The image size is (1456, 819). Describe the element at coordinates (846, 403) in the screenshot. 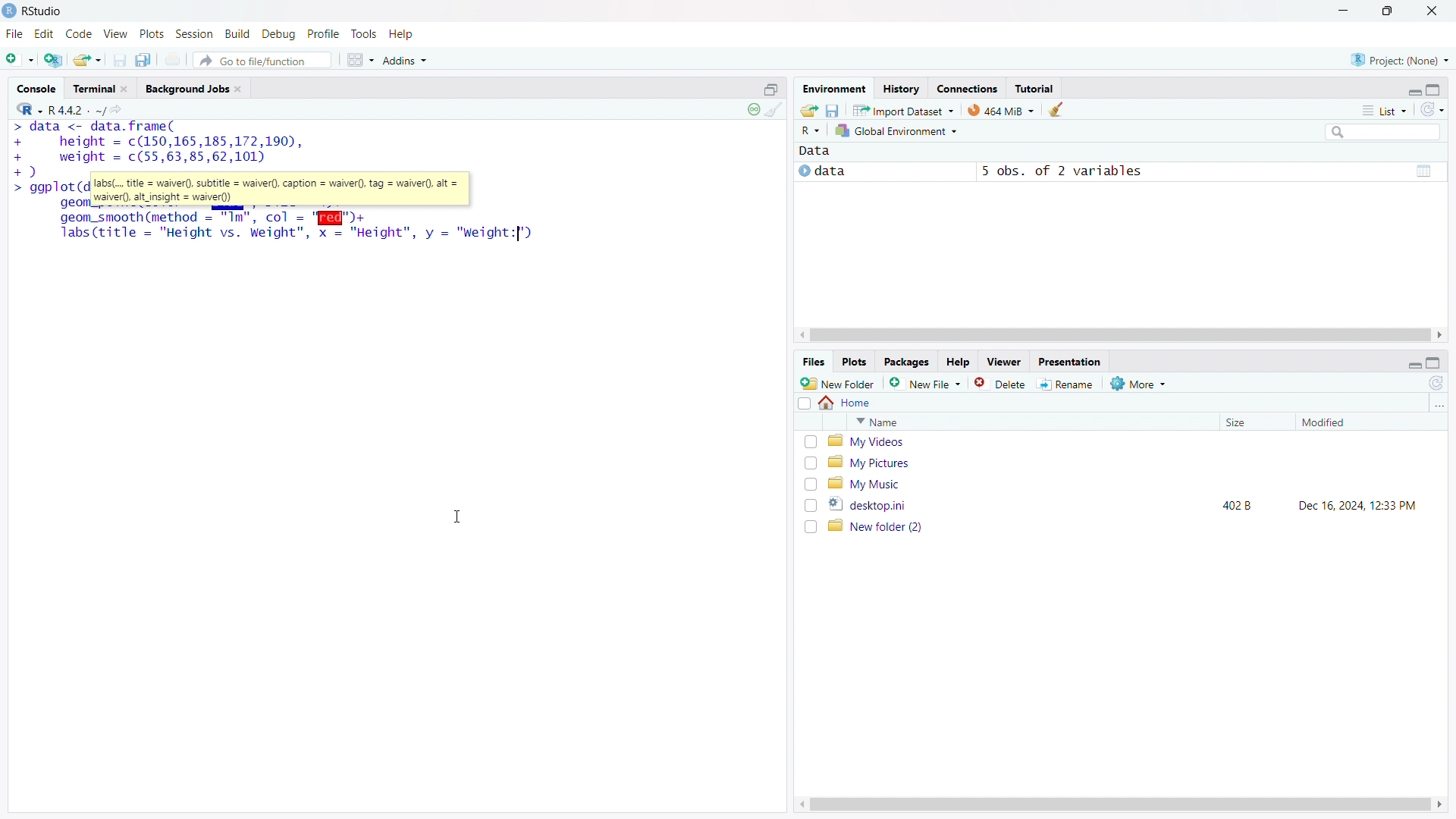

I see `home` at that location.